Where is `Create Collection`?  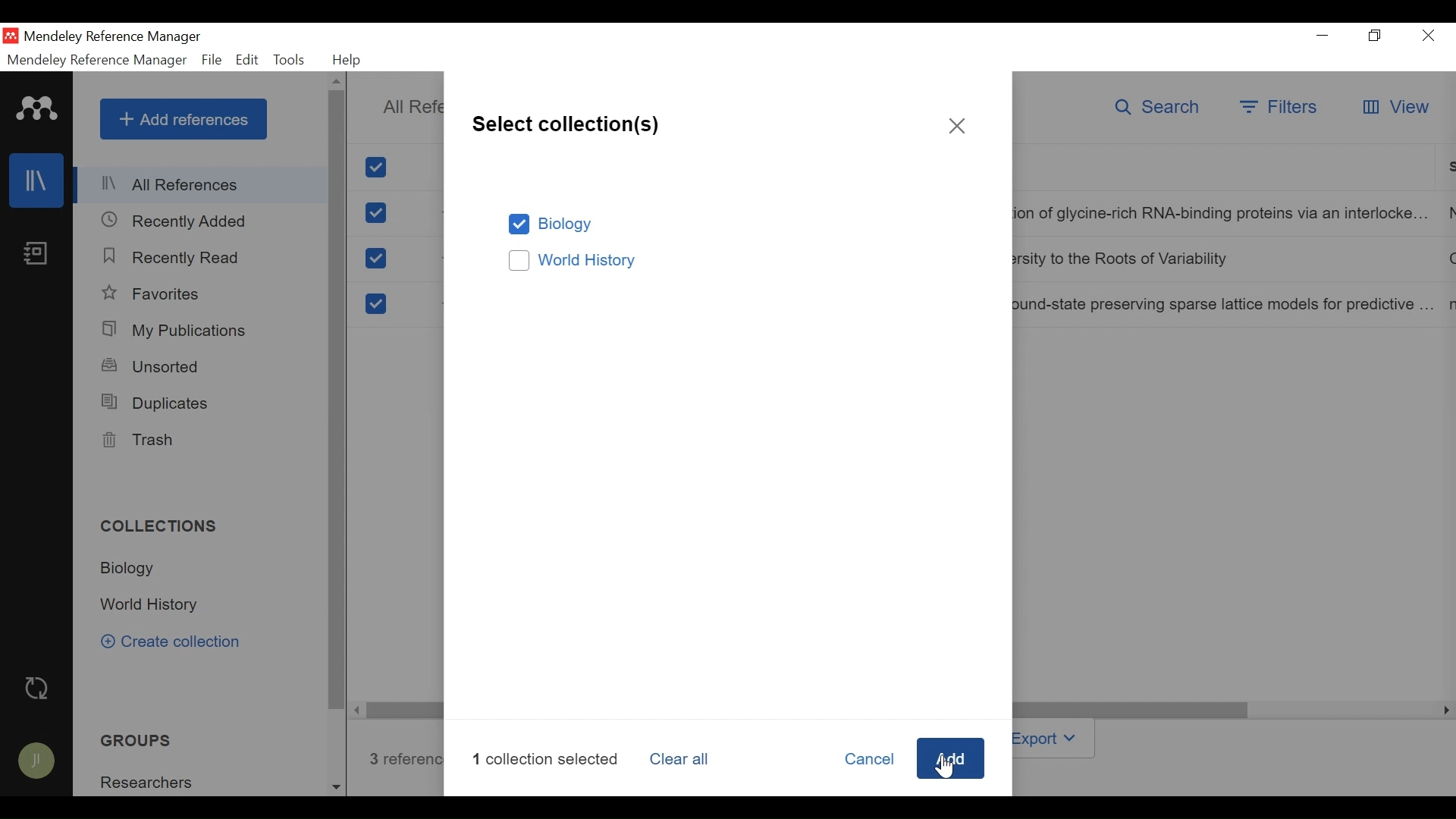
Create Collection is located at coordinates (180, 643).